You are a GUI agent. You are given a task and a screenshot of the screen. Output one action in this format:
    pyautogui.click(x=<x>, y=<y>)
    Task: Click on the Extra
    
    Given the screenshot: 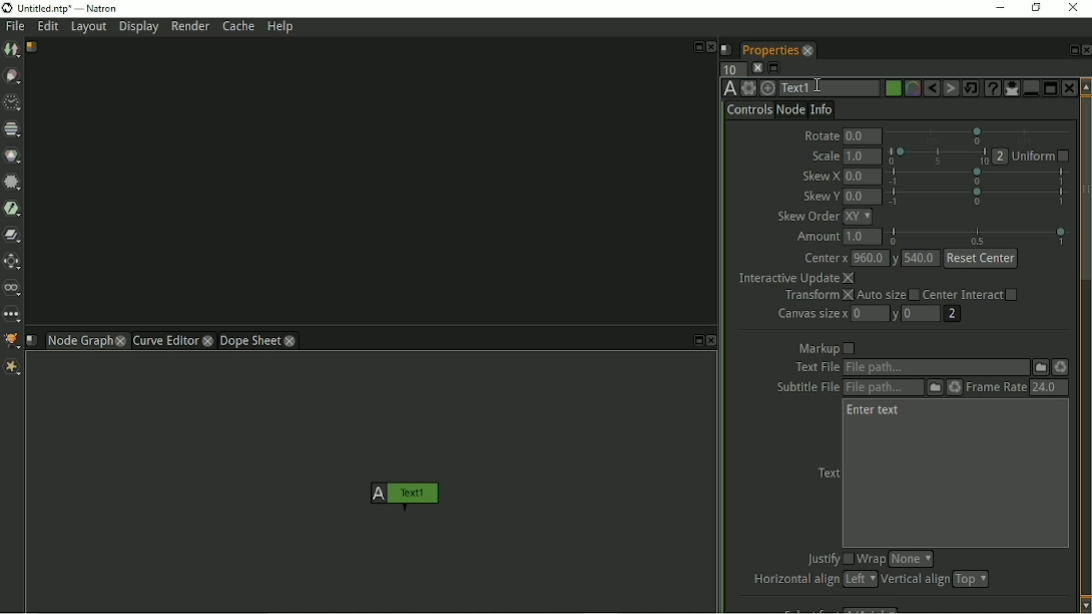 What is the action you would take?
    pyautogui.click(x=15, y=369)
    